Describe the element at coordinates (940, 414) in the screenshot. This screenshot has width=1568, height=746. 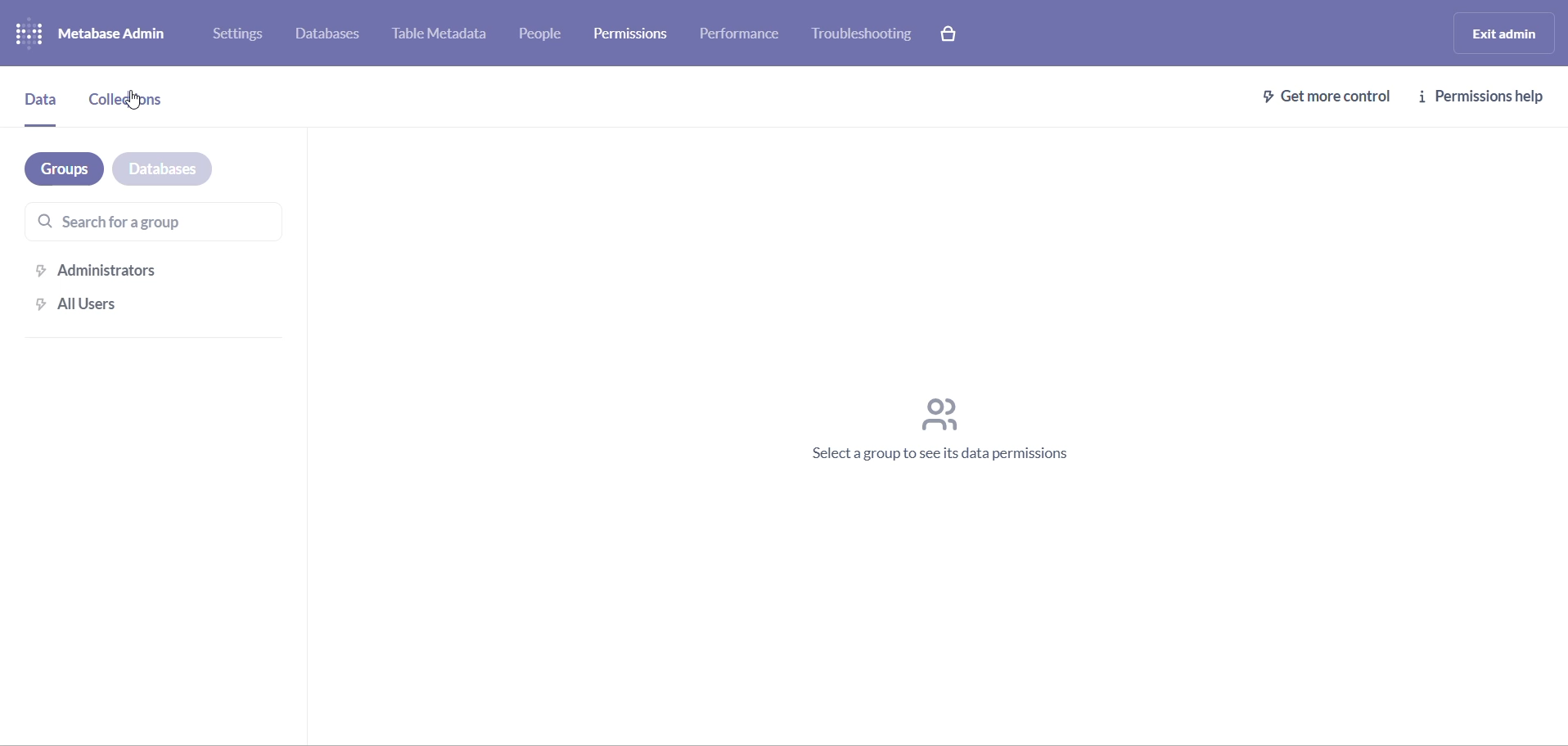
I see `icon` at that location.